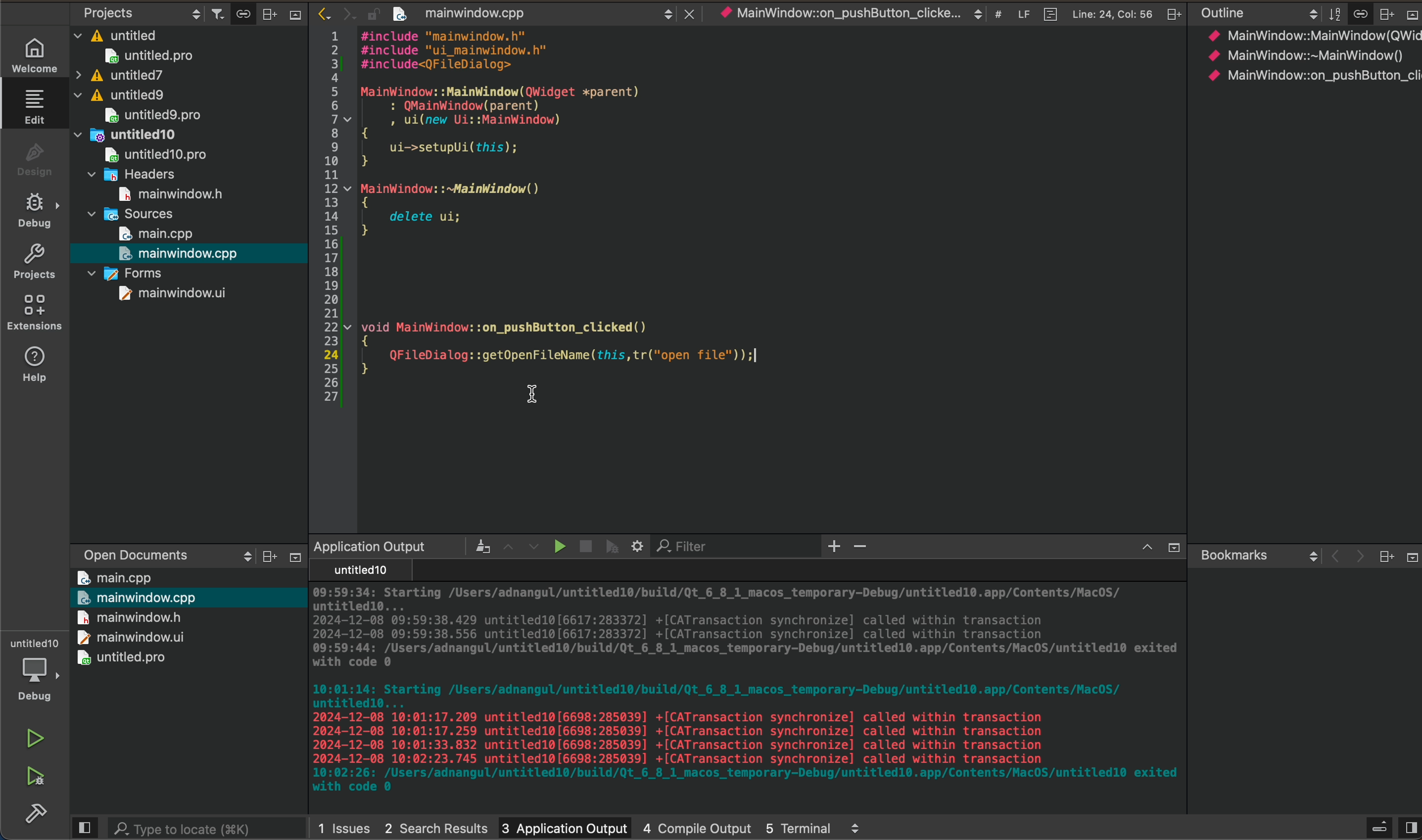 Image resolution: width=1422 pixels, height=840 pixels. What do you see at coordinates (84, 828) in the screenshot?
I see `split` at bounding box center [84, 828].